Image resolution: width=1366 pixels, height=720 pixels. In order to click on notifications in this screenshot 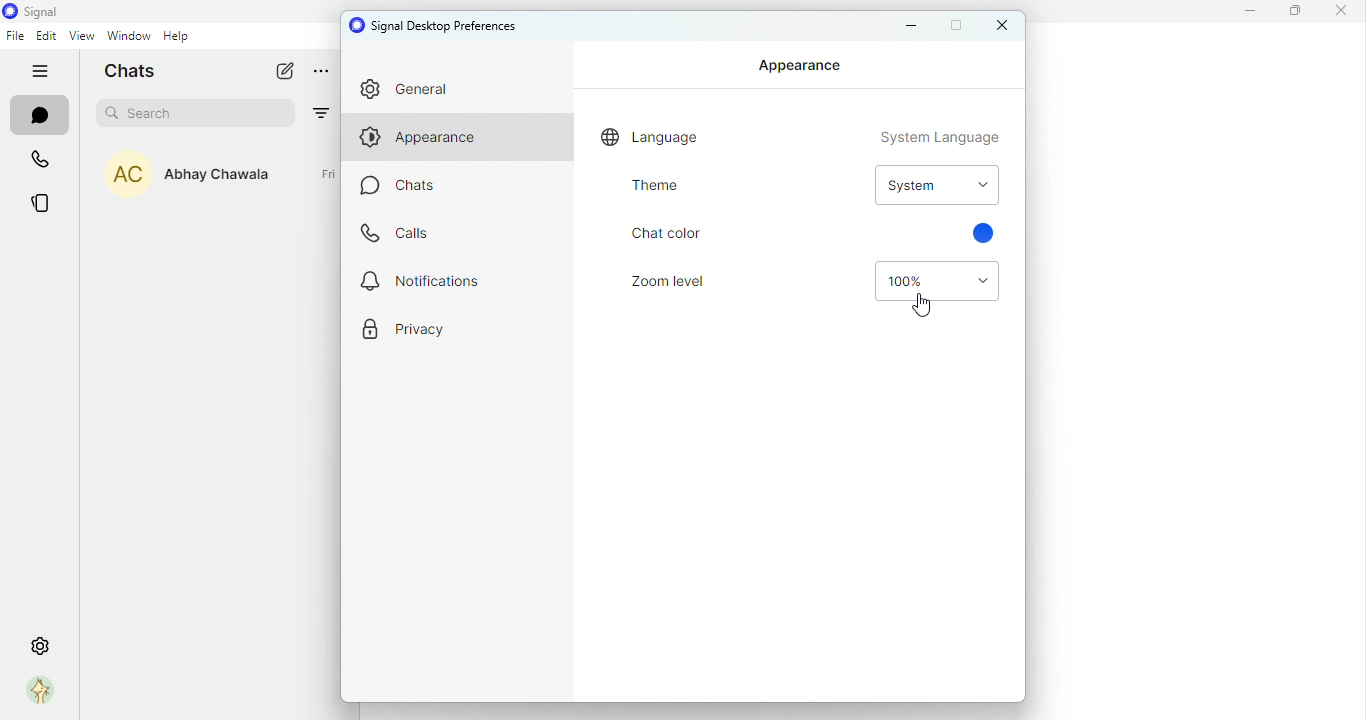, I will do `click(430, 286)`.